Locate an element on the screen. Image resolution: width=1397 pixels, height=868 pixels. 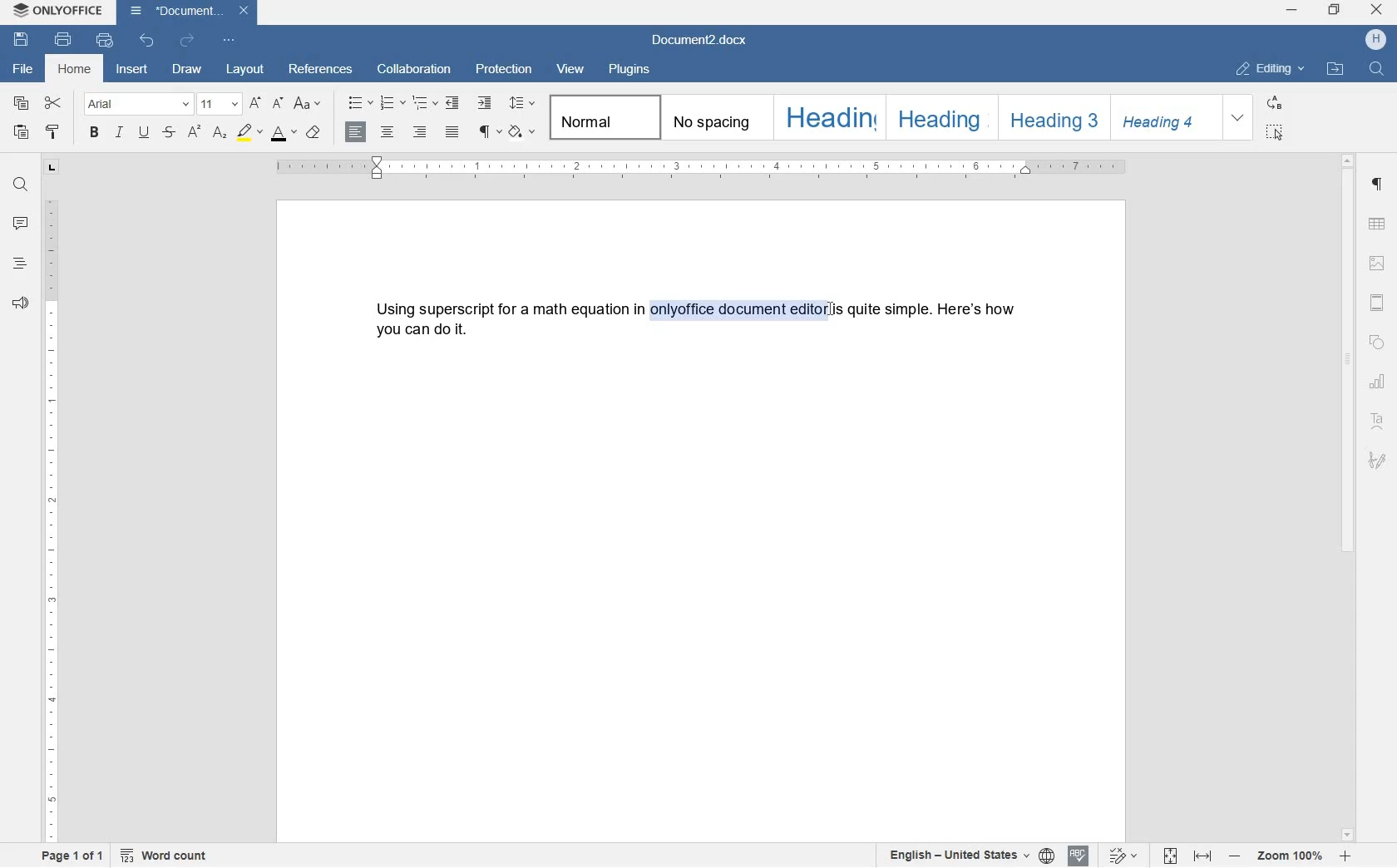
justified is located at coordinates (453, 132).